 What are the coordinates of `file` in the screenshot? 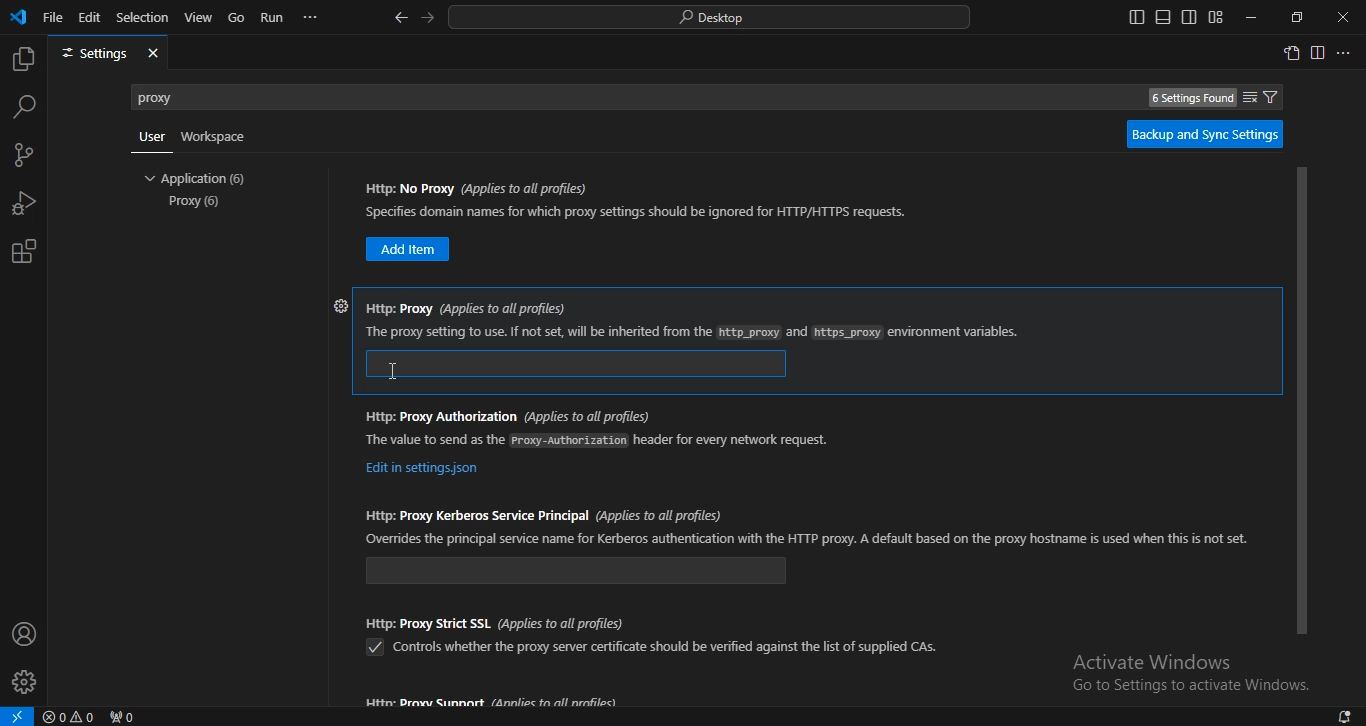 It's located at (54, 16).